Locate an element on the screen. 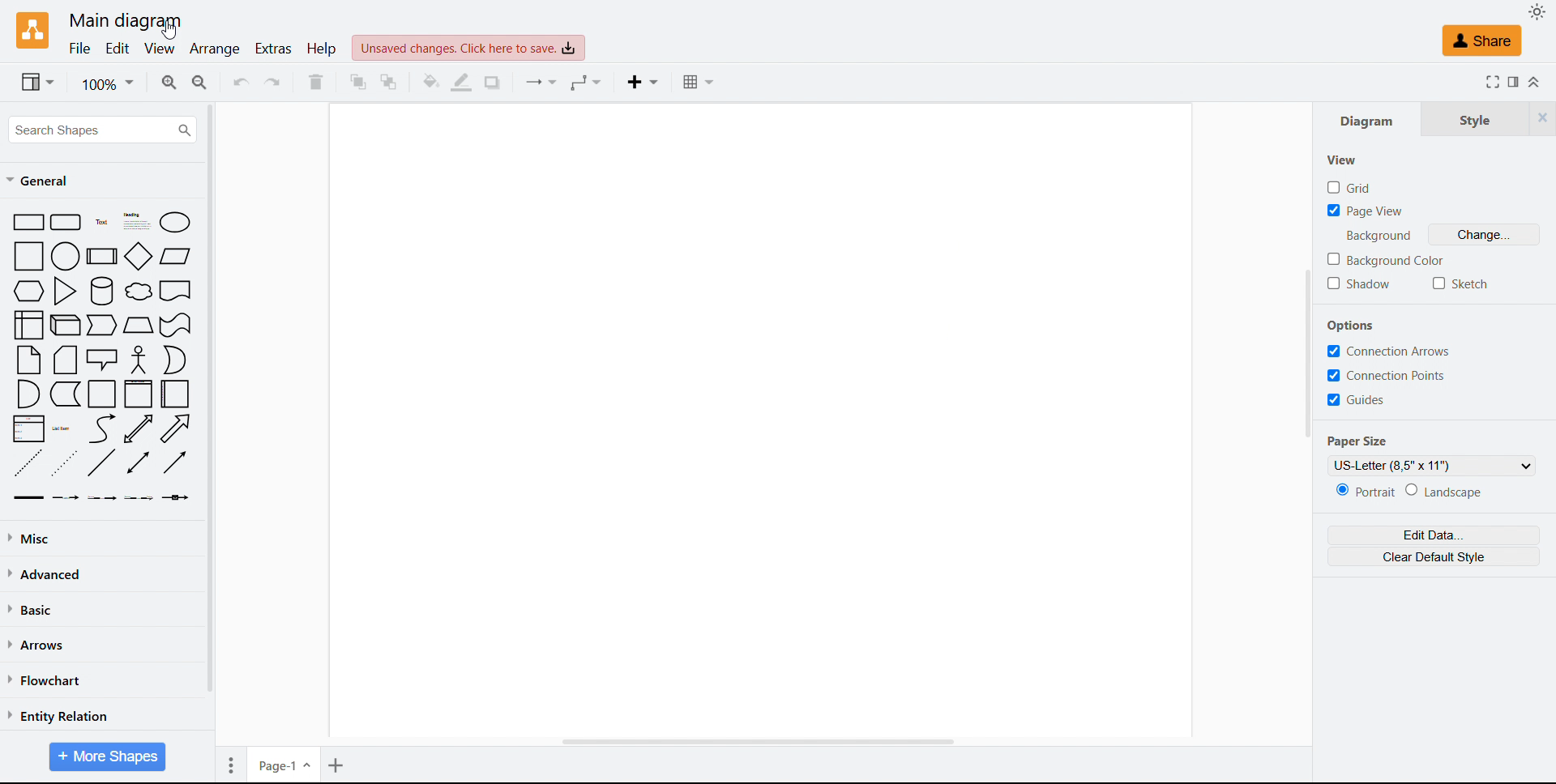  Edit data  is located at coordinates (1433, 535).